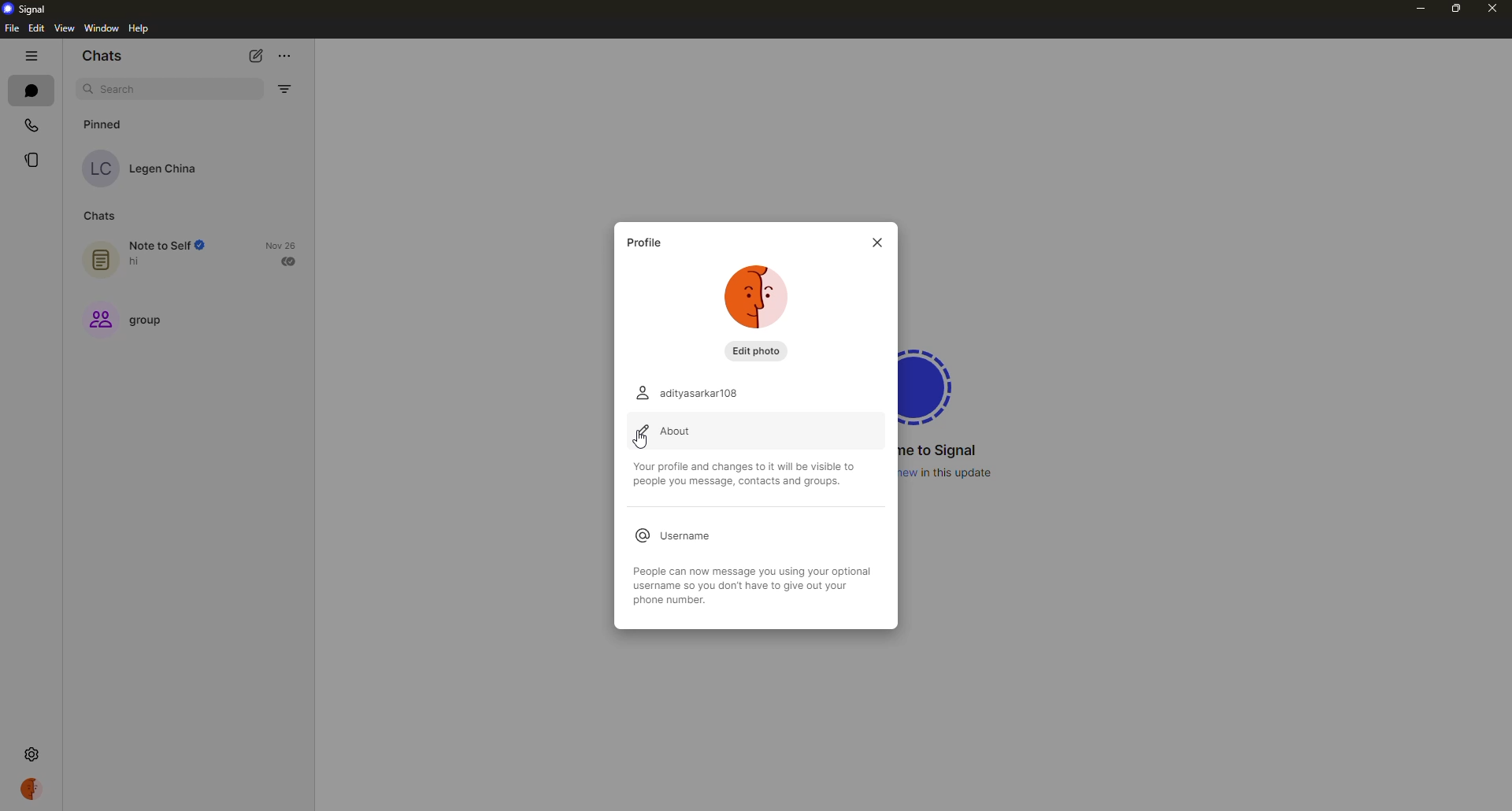  What do you see at coordinates (677, 533) in the screenshot?
I see `username` at bounding box center [677, 533].